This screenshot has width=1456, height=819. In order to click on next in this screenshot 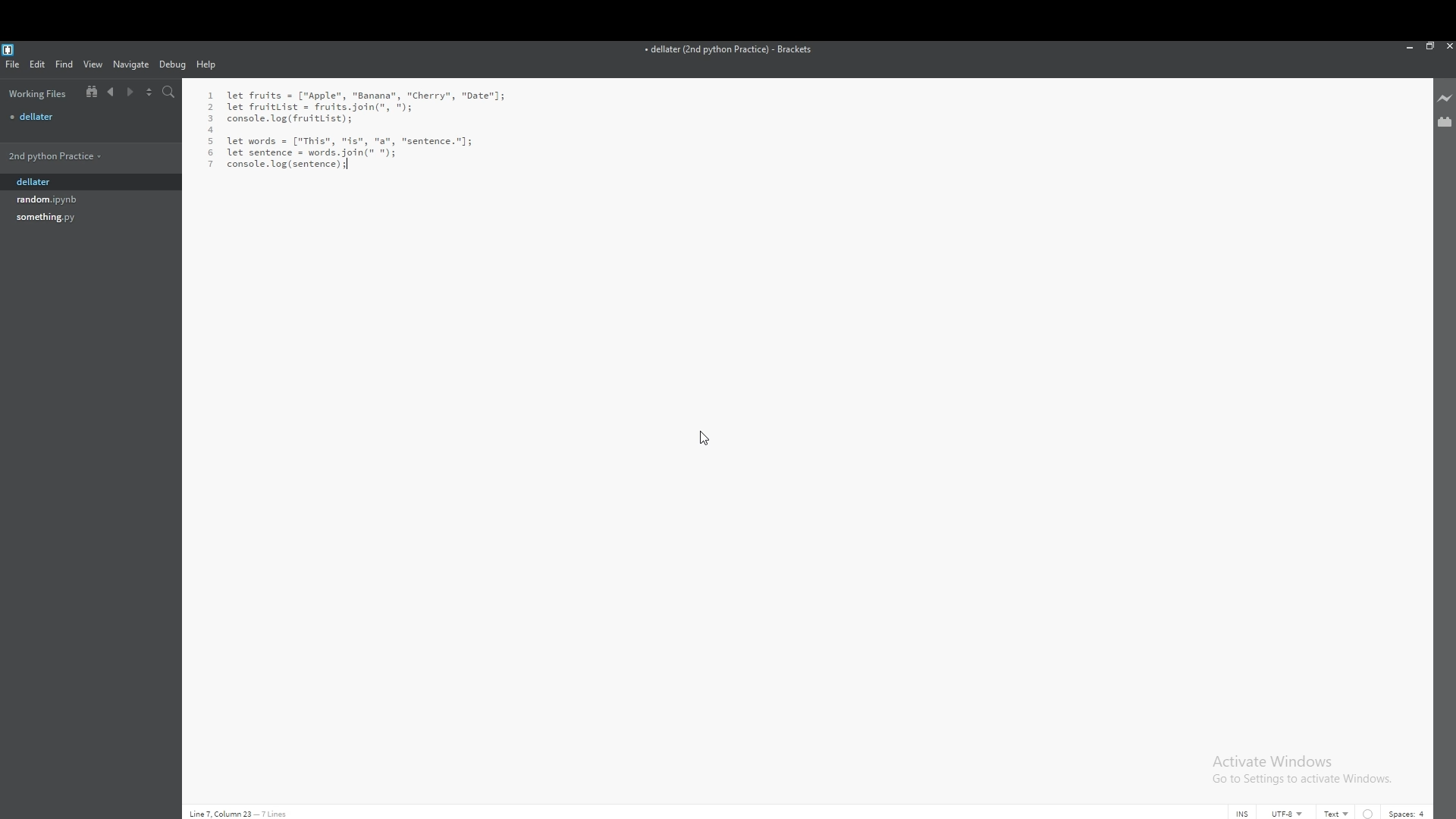, I will do `click(130, 93)`.